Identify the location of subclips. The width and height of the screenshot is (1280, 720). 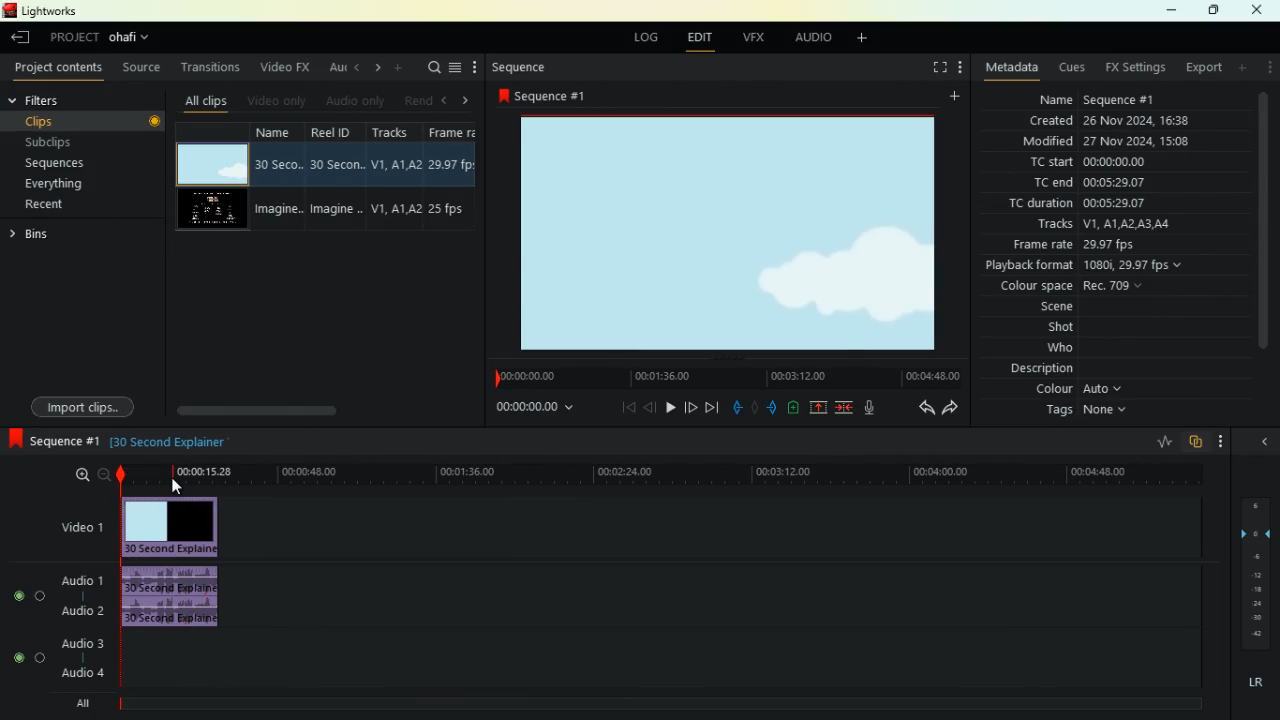
(75, 142).